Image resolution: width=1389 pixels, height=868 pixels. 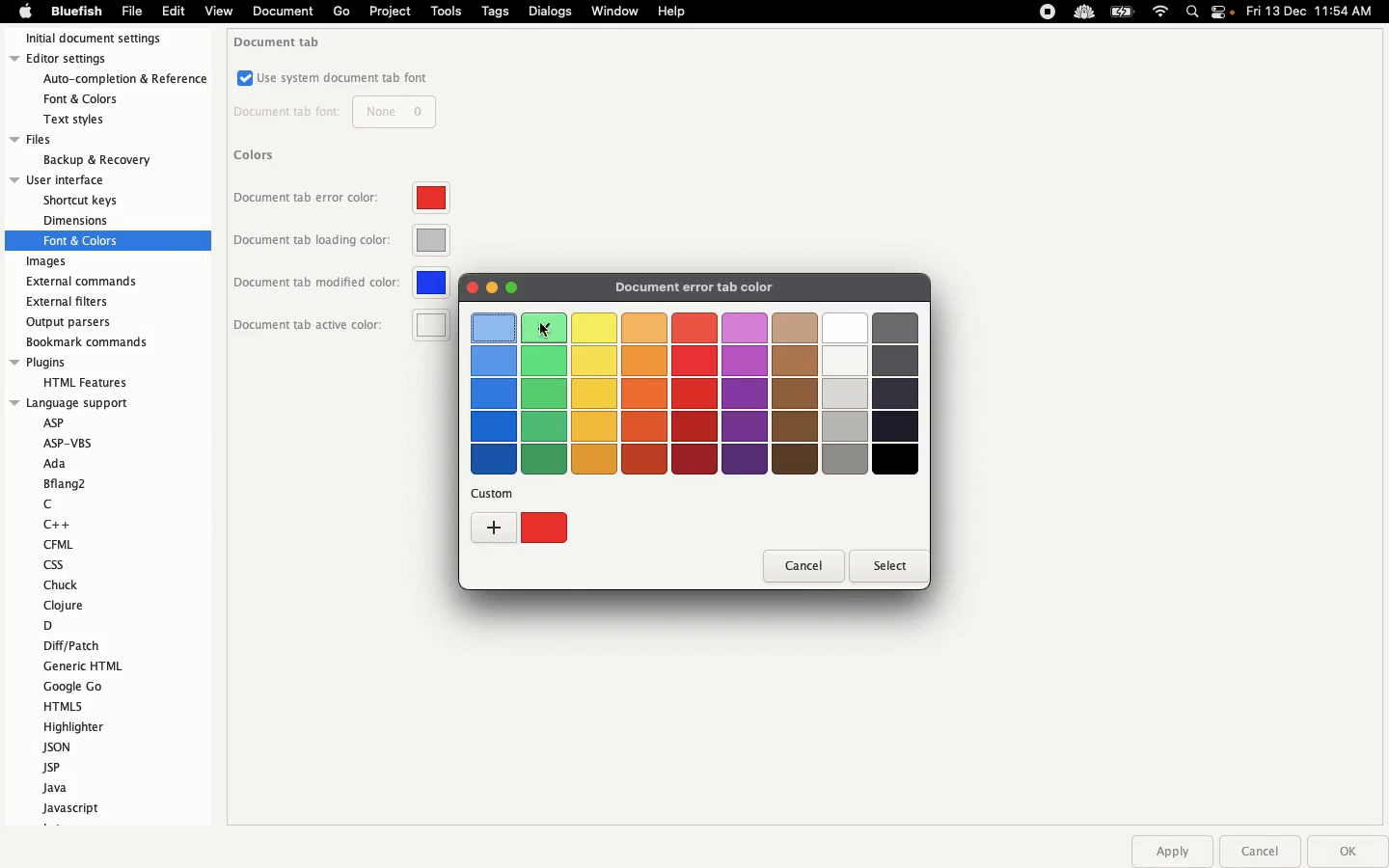 What do you see at coordinates (132, 11) in the screenshot?
I see `File` at bounding box center [132, 11].